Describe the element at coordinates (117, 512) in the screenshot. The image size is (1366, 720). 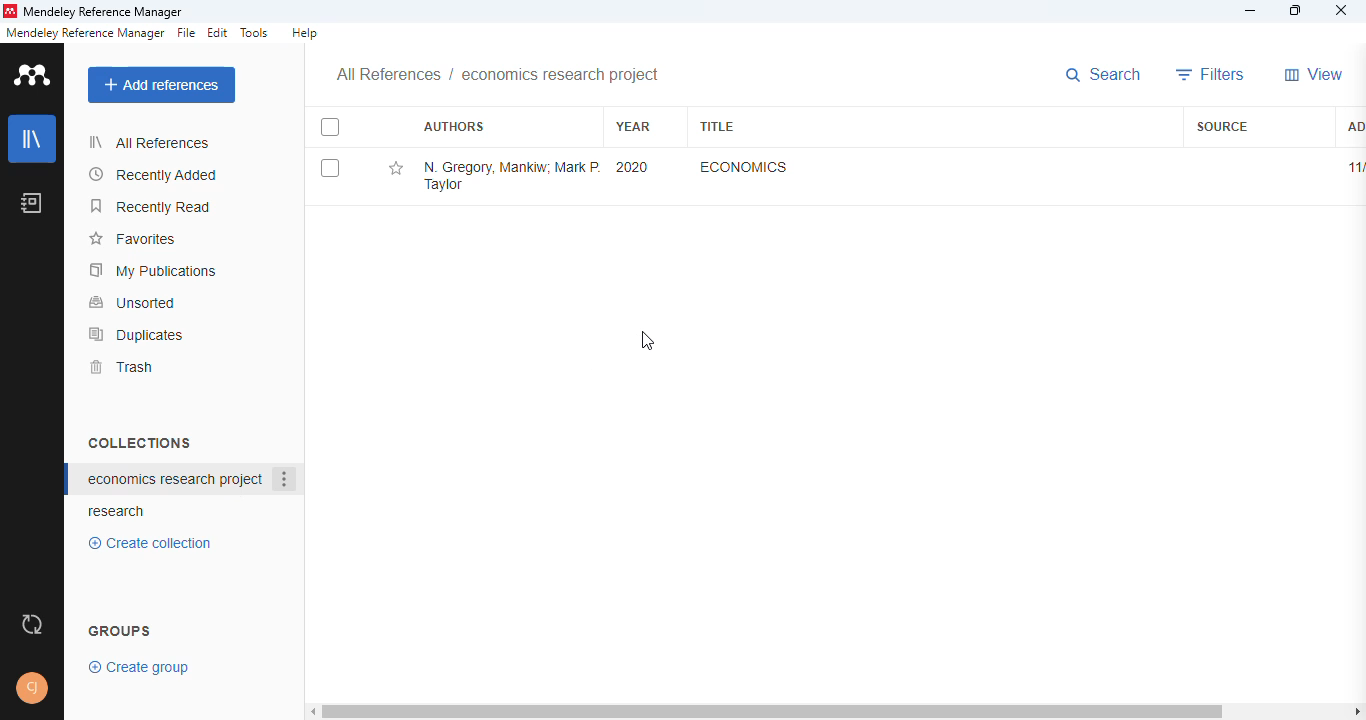
I see `research` at that location.